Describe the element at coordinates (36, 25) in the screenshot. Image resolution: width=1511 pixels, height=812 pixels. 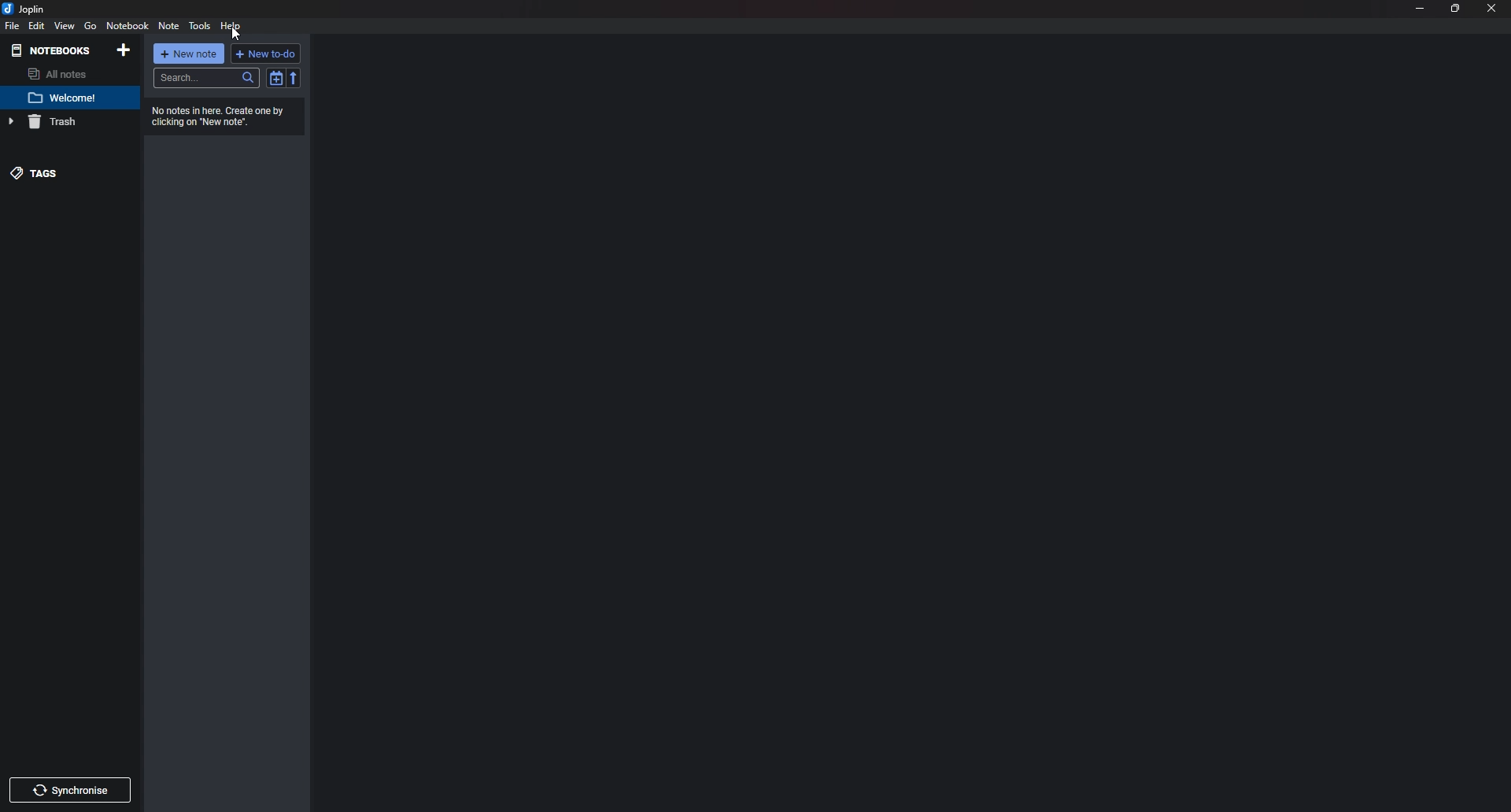
I see `edit` at that location.